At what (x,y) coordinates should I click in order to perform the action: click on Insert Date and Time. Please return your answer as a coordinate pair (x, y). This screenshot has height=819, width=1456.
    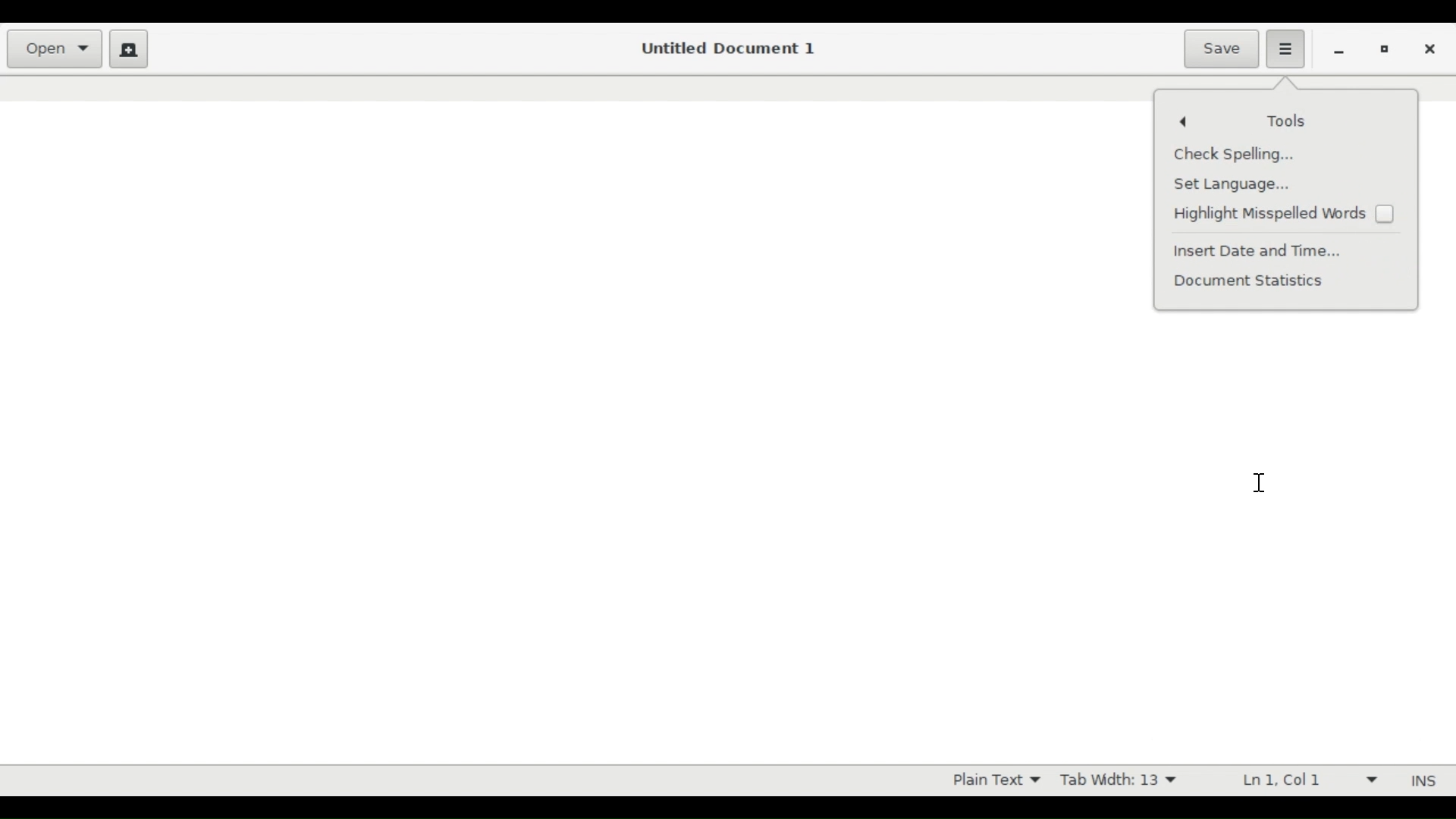
    Looking at the image, I should click on (1257, 250).